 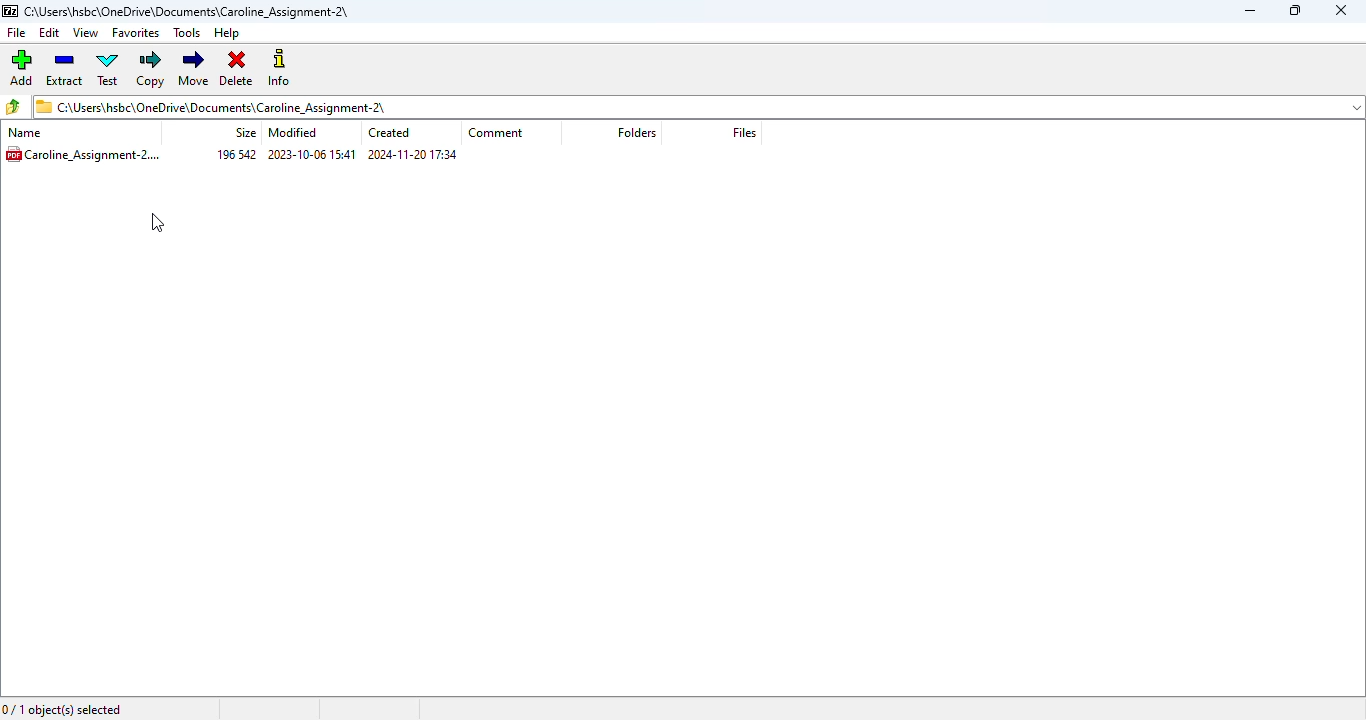 What do you see at coordinates (151, 69) in the screenshot?
I see `copy` at bounding box center [151, 69].